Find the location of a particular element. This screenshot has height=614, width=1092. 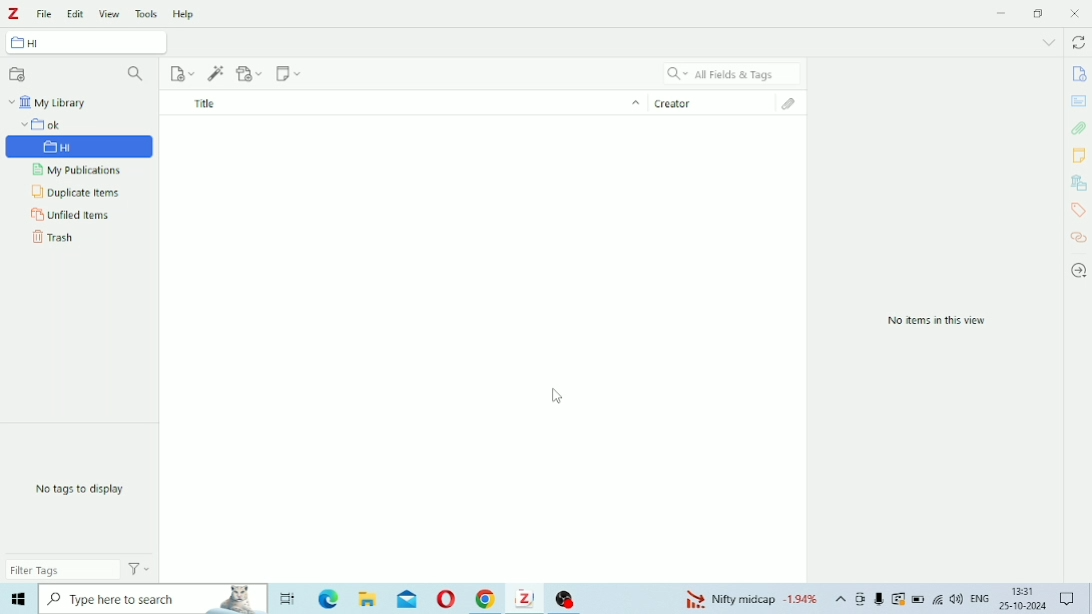

Locate is located at coordinates (1079, 271).